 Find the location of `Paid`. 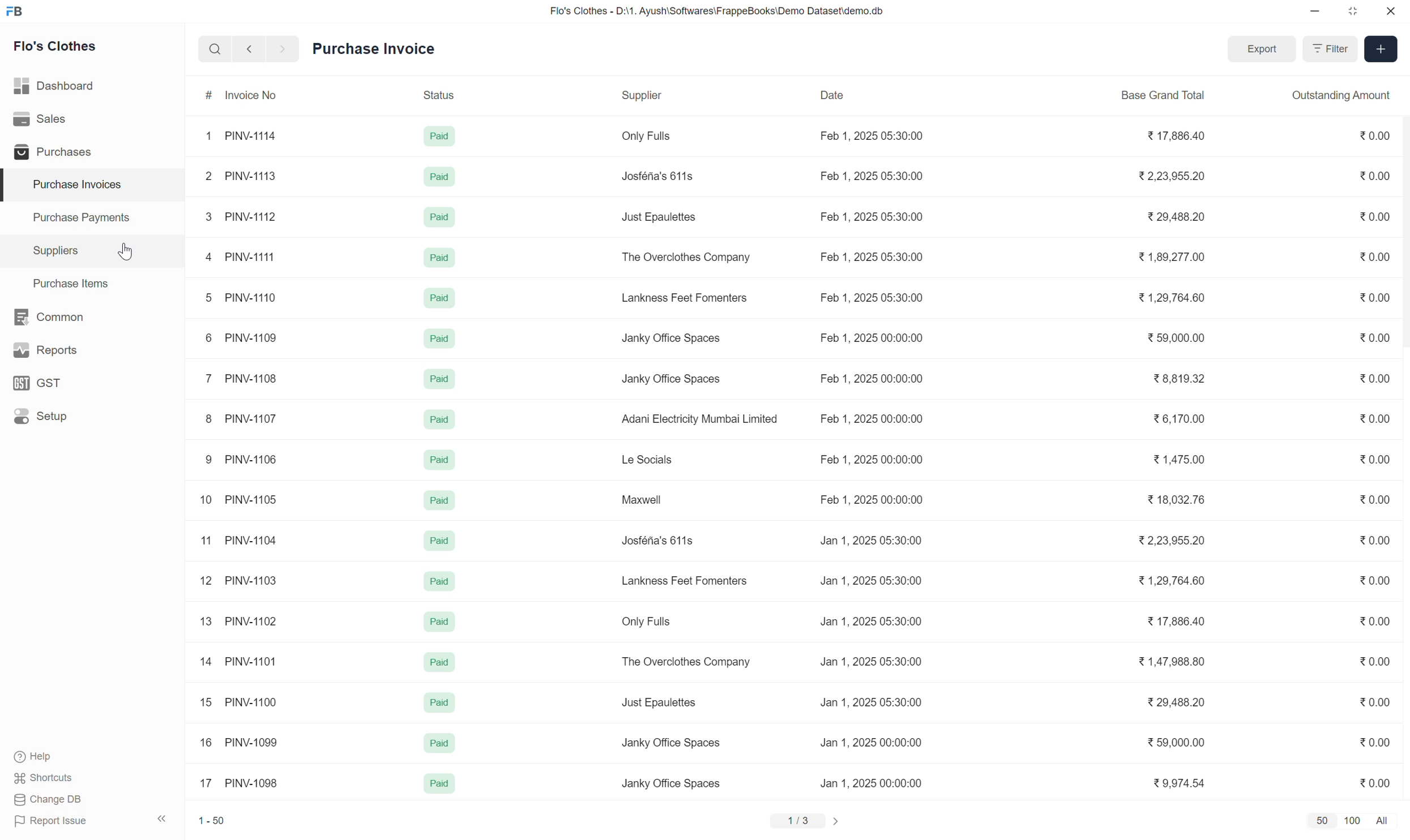

Paid is located at coordinates (439, 783).